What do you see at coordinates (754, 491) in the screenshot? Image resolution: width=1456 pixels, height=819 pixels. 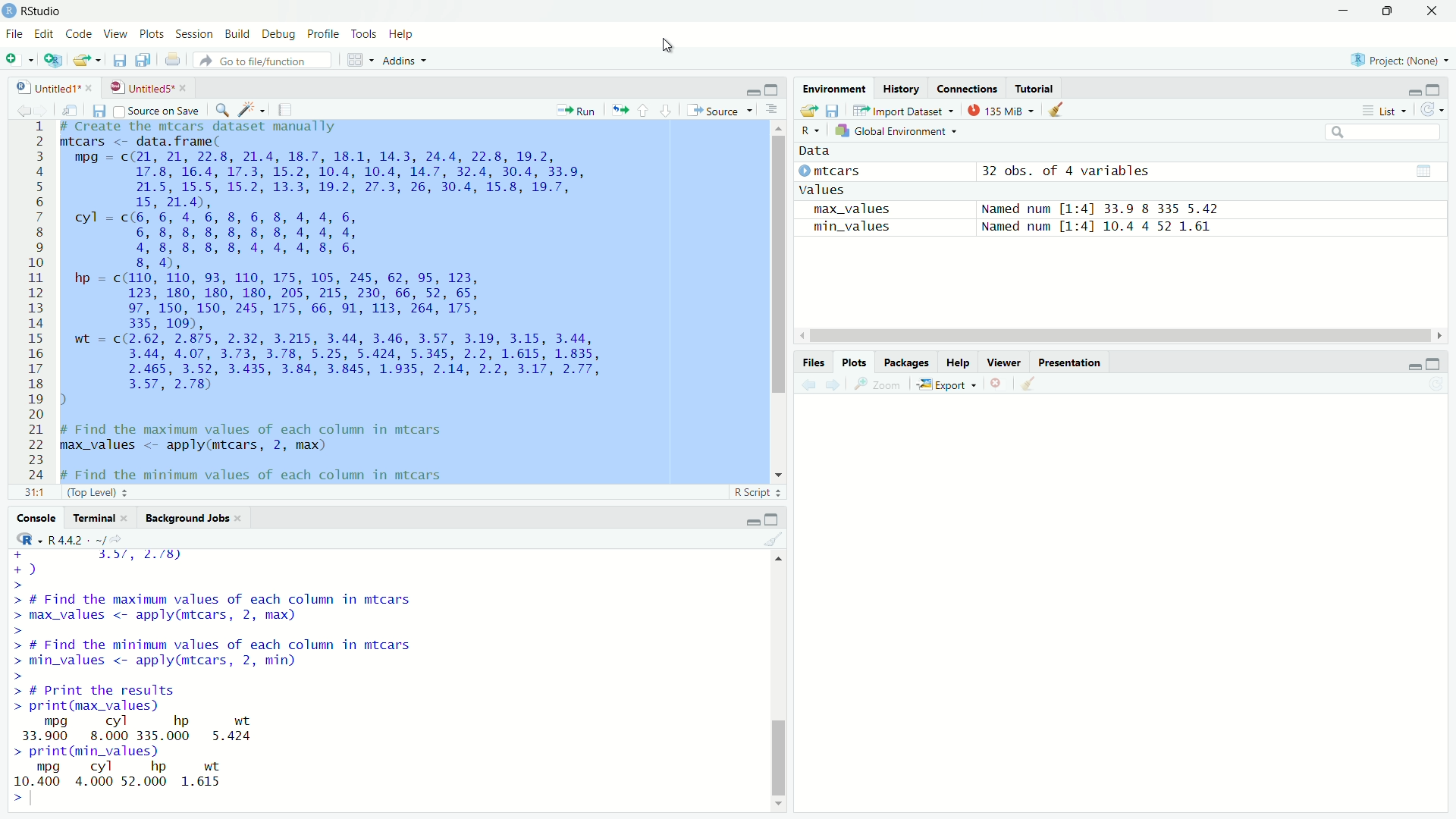 I see `R Script ` at bounding box center [754, 491].